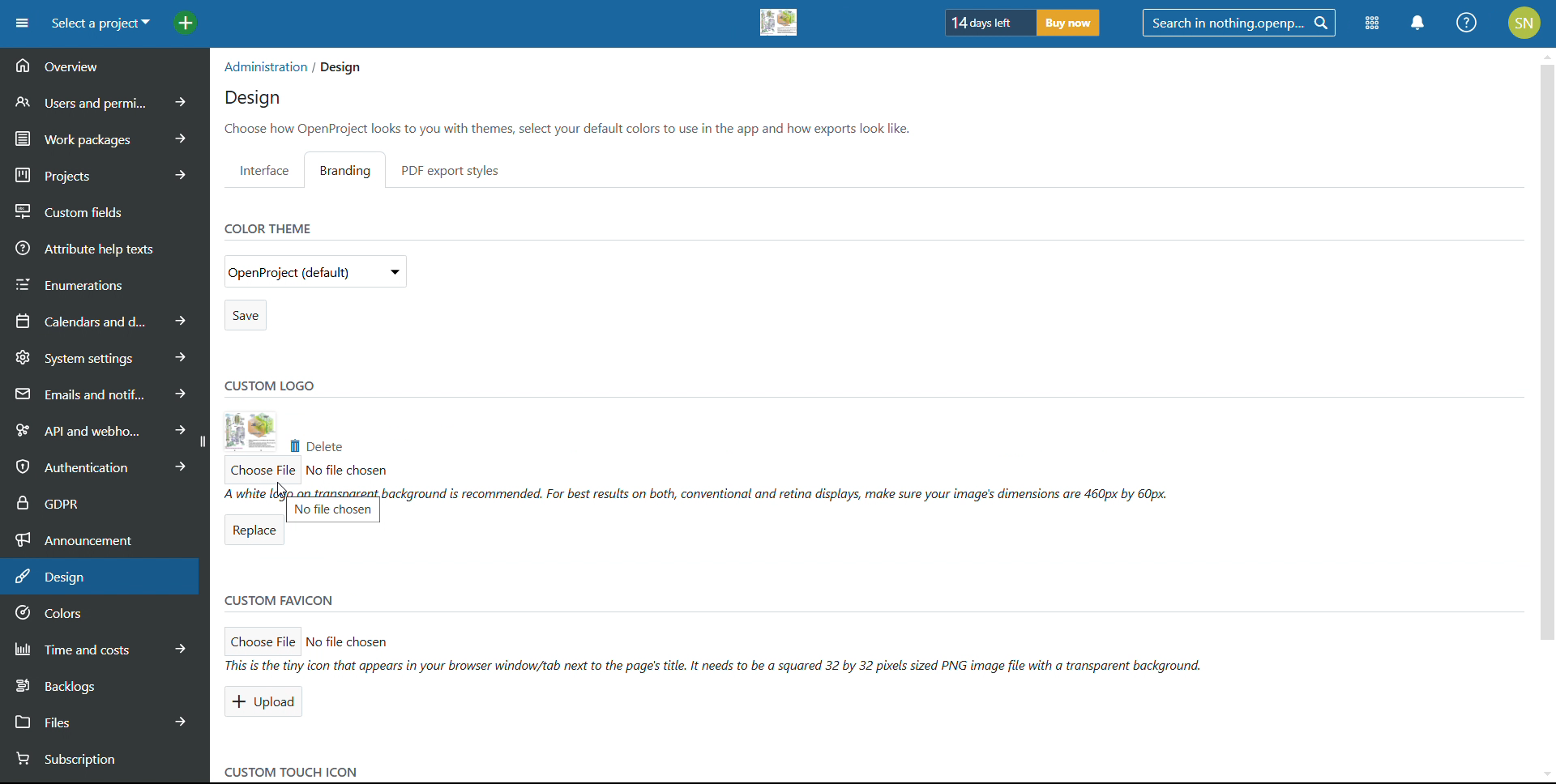 This screenshot has height=784, width=1556. I want to click on emails and notifications, so click(101, 393).